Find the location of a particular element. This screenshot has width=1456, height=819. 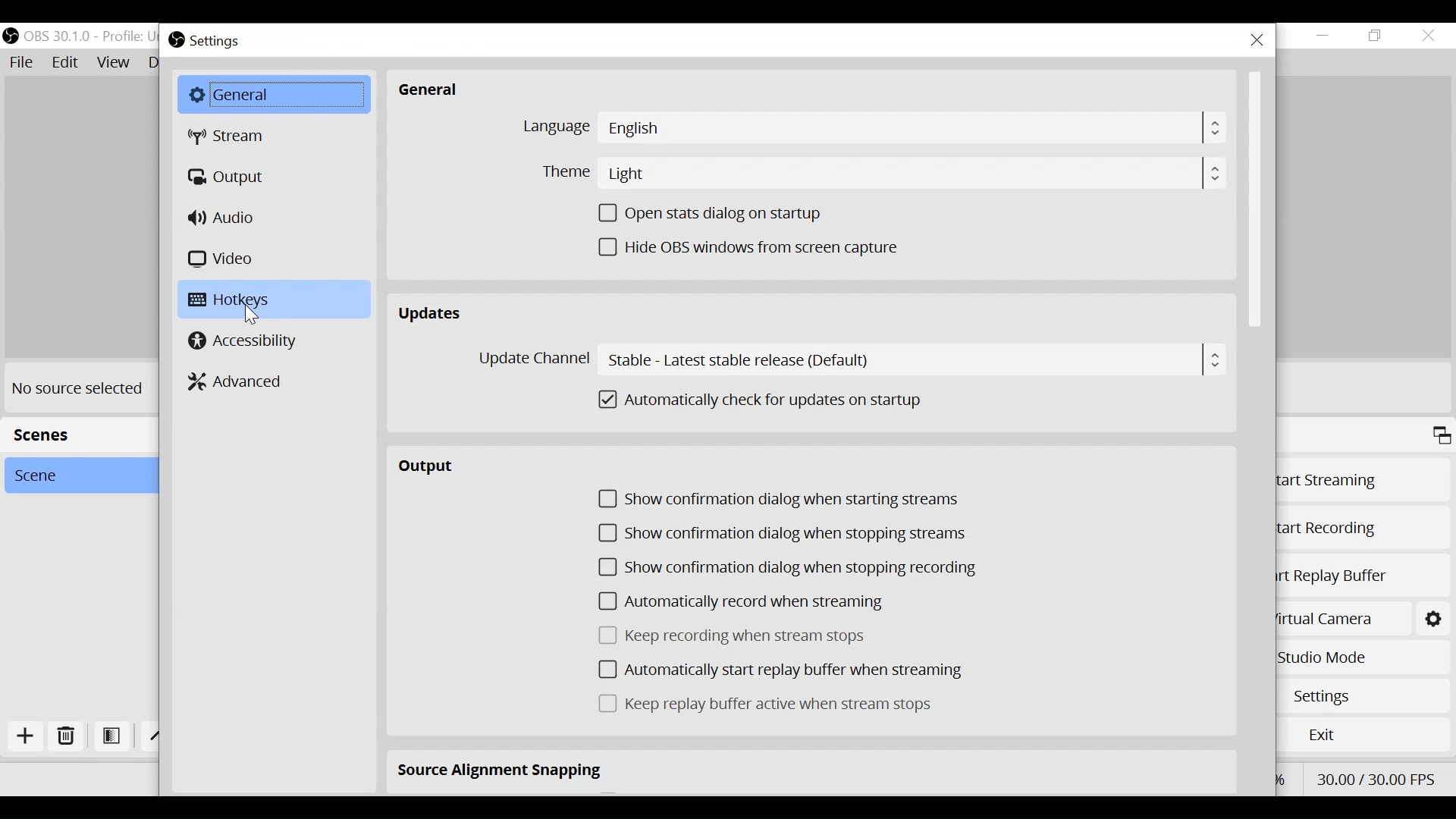

Audio is located at coordinates (225, 217).